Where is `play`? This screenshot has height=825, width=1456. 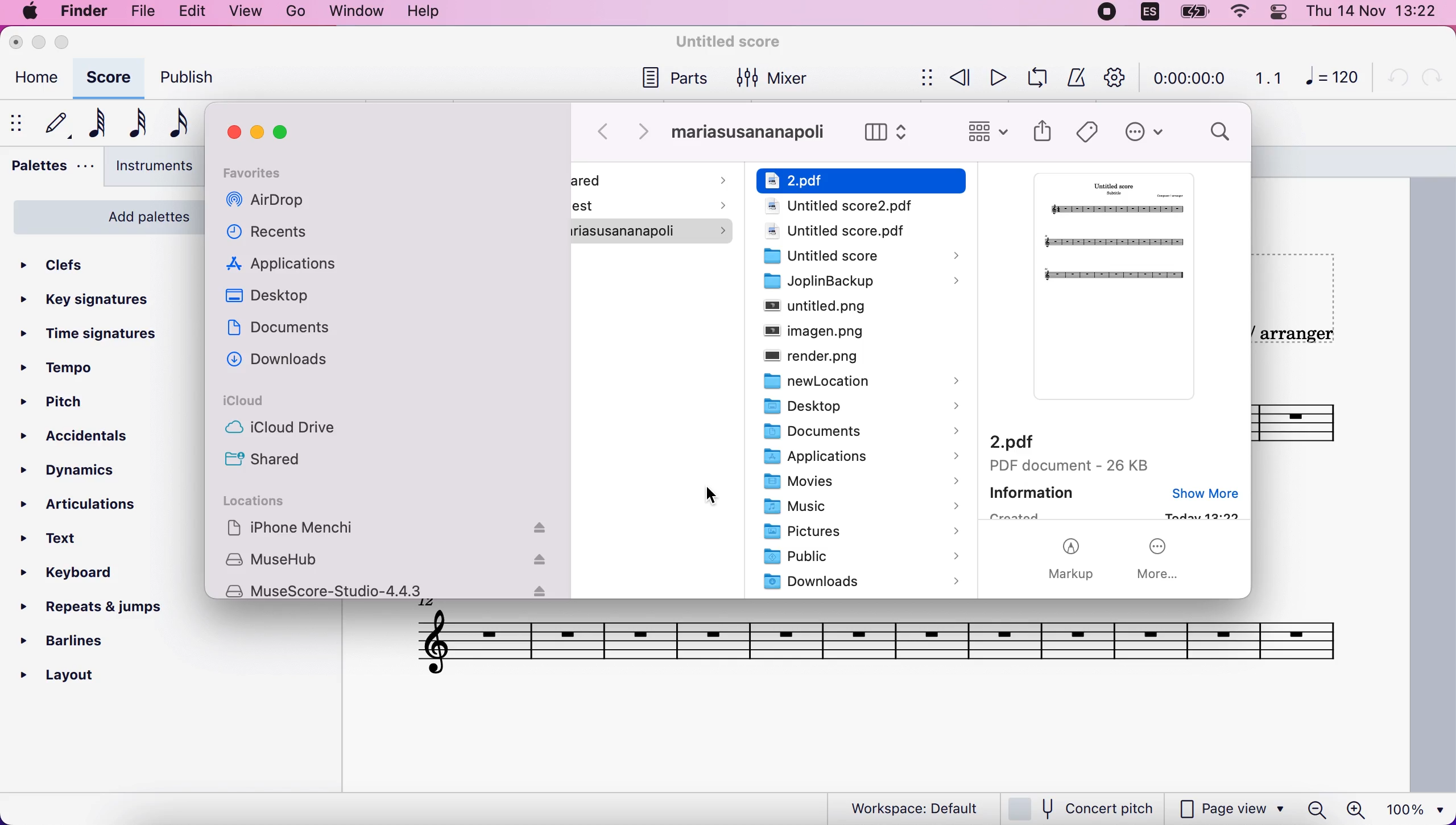
play is located at coordinates (994, 80).